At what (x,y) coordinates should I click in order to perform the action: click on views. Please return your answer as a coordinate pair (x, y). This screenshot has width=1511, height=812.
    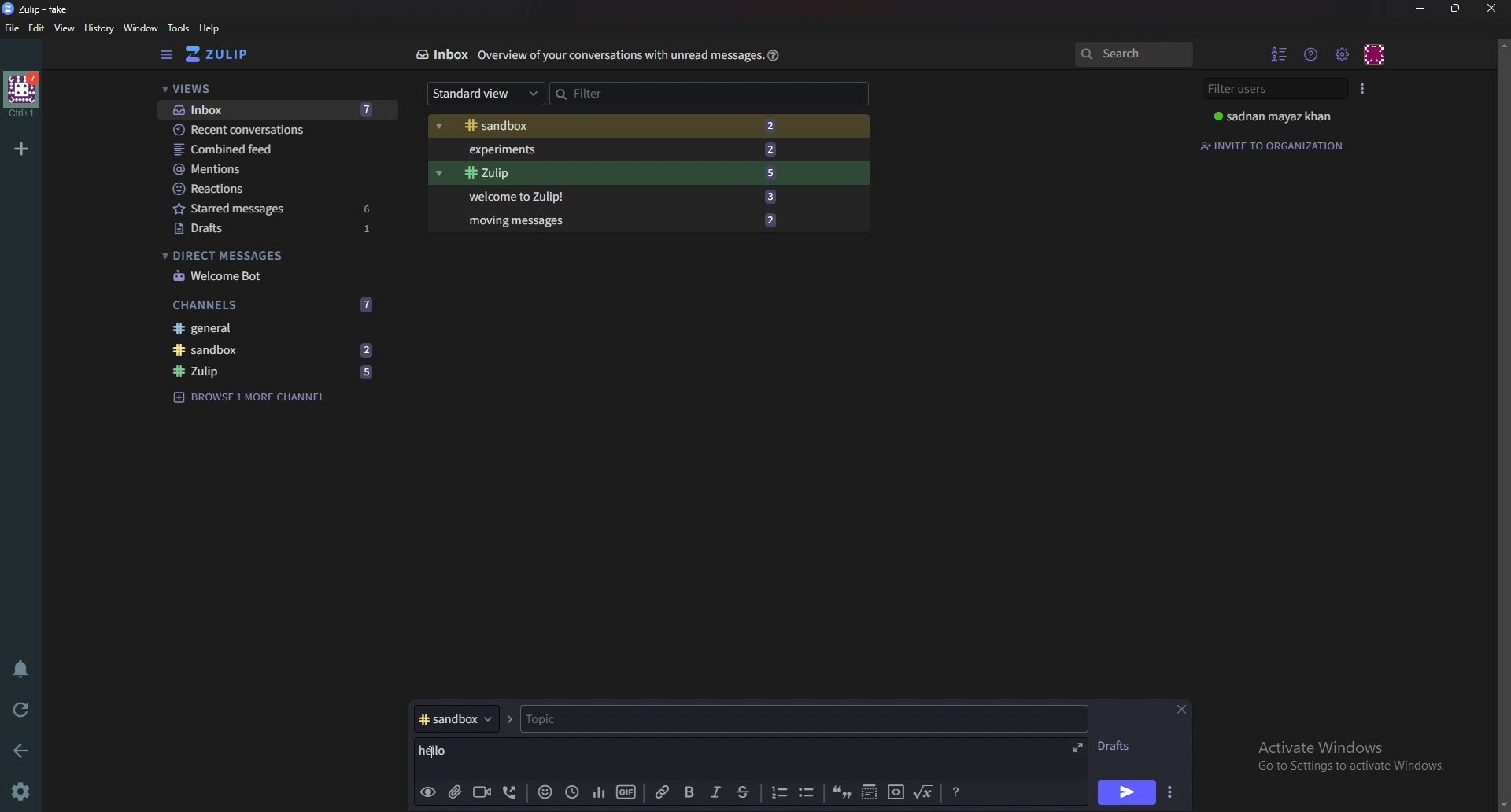
    Looking at the image, I should click on (274, 88).